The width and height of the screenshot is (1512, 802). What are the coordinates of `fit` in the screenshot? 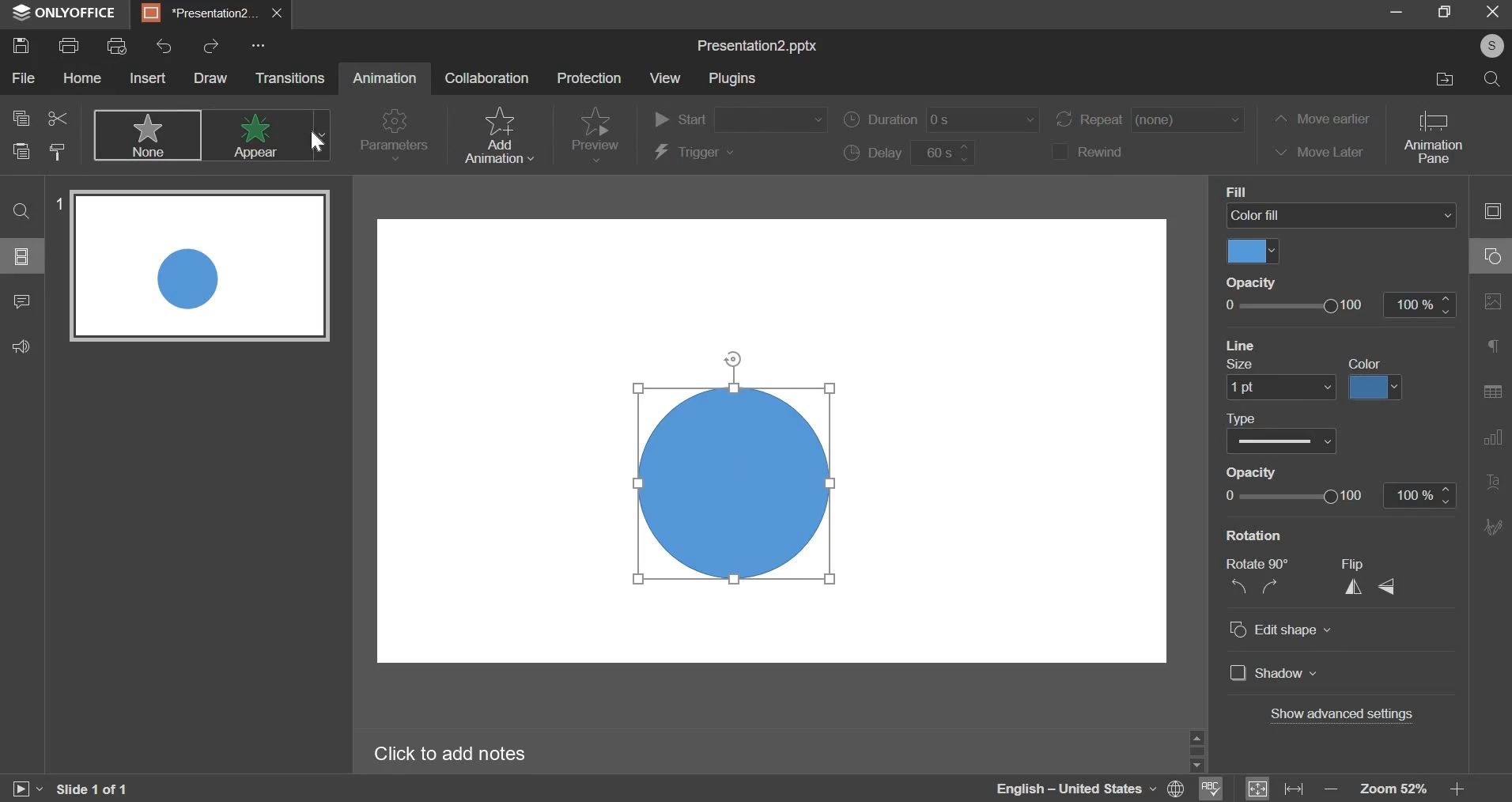 It's located at (1275, 788).